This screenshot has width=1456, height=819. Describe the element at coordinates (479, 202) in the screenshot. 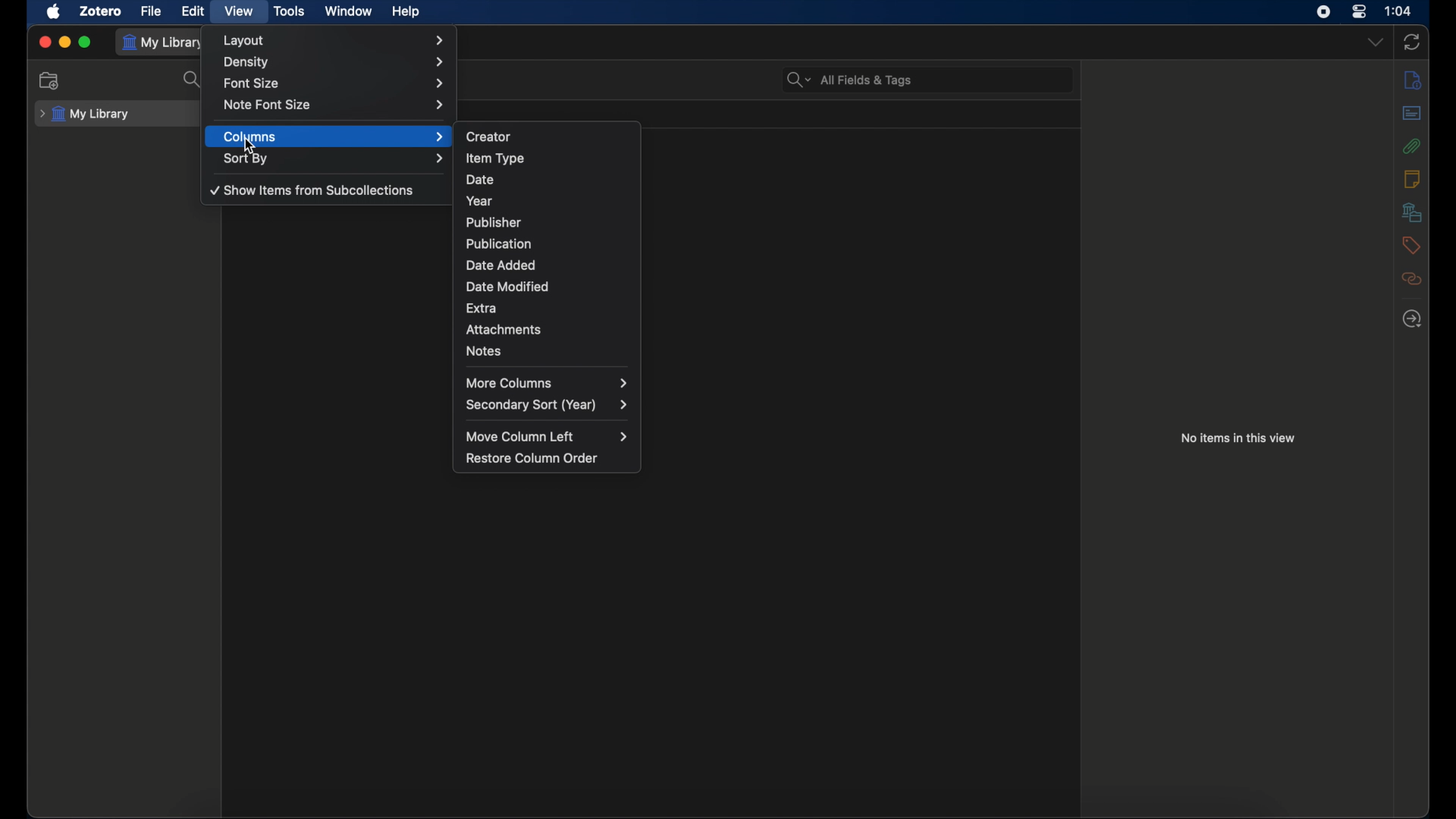

I see `year` at that location.